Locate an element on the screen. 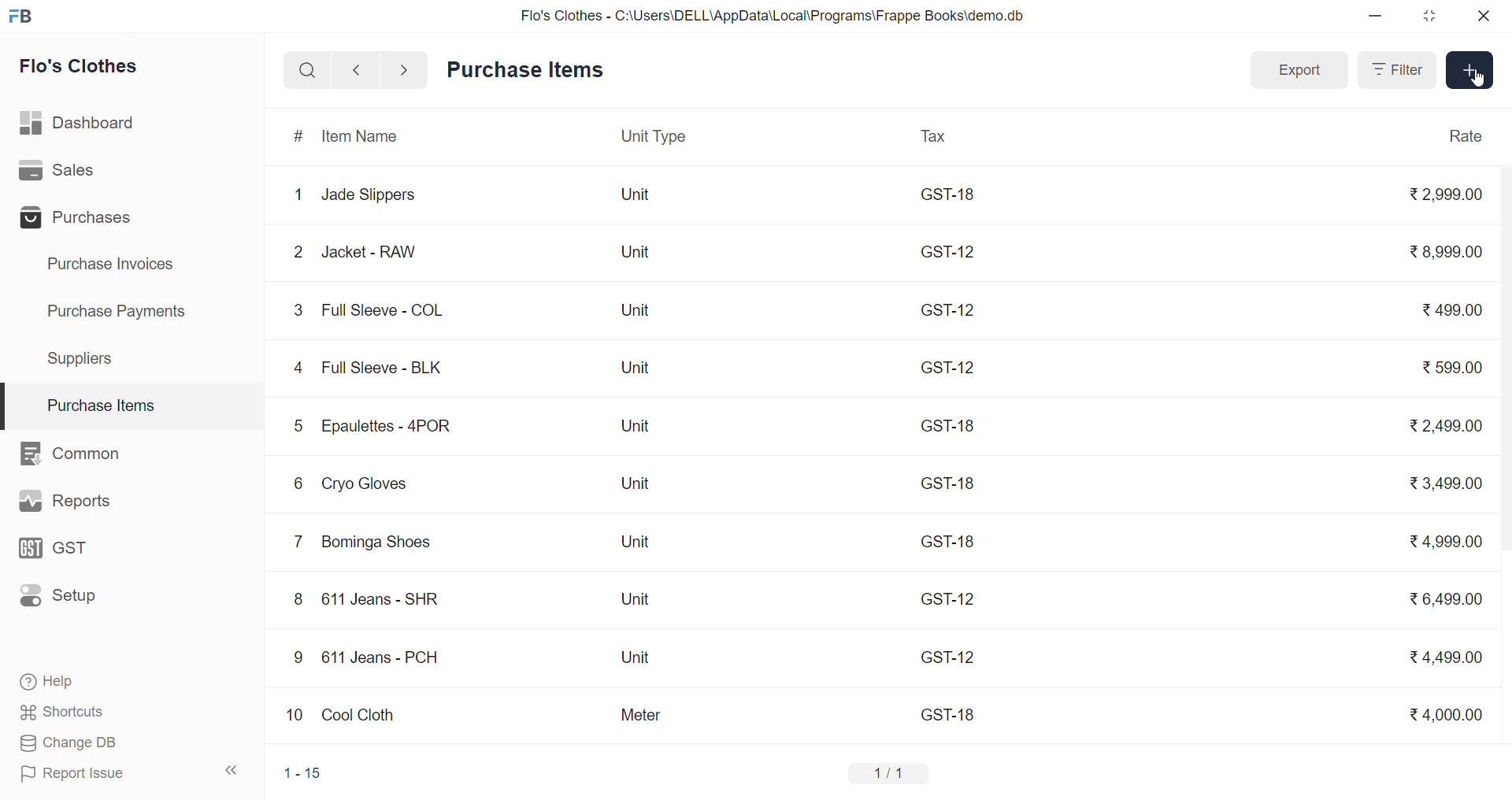  Change DB is located at coordinates (124, 743).